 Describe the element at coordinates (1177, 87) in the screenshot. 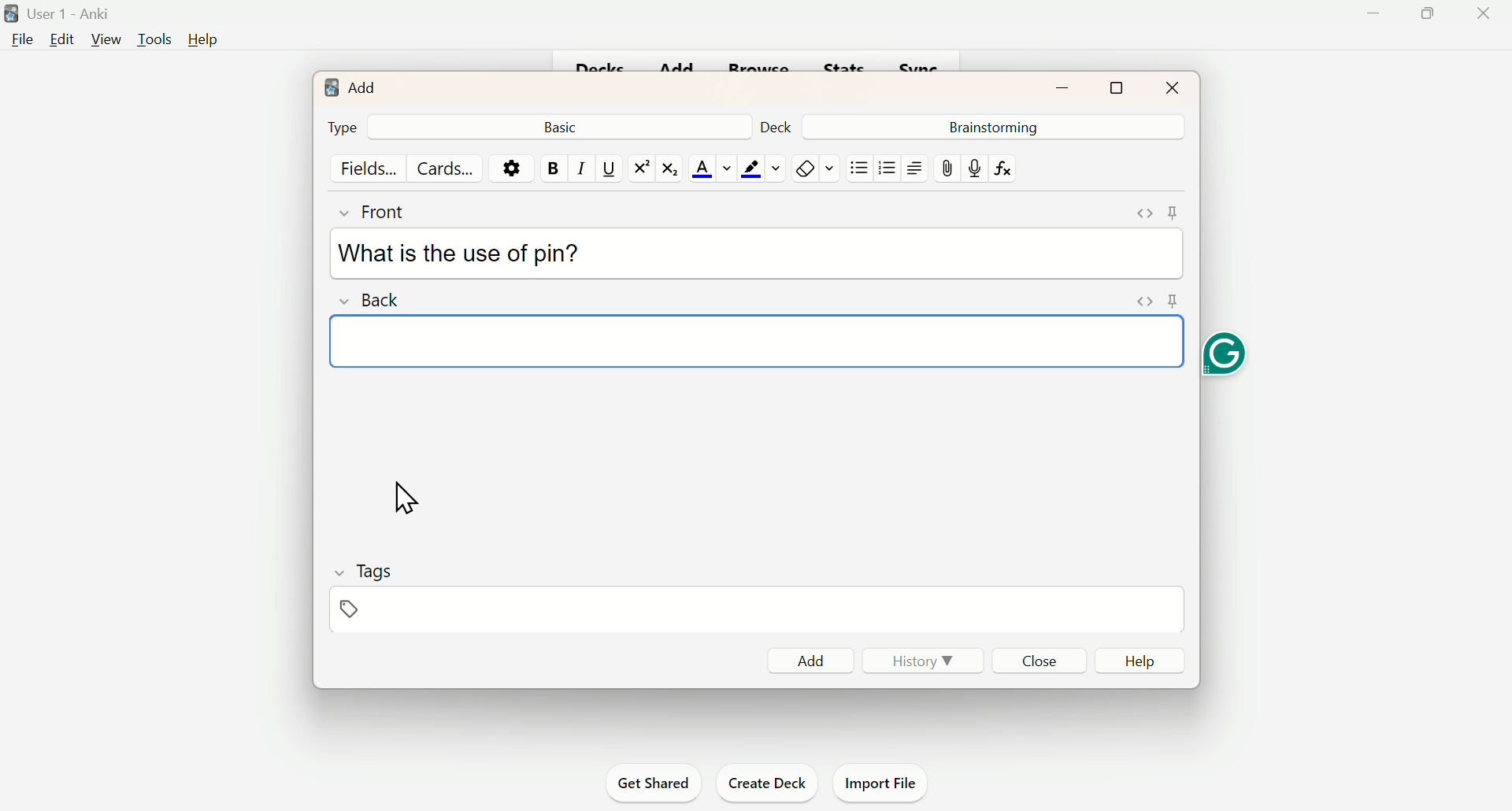

I see `` at that location.